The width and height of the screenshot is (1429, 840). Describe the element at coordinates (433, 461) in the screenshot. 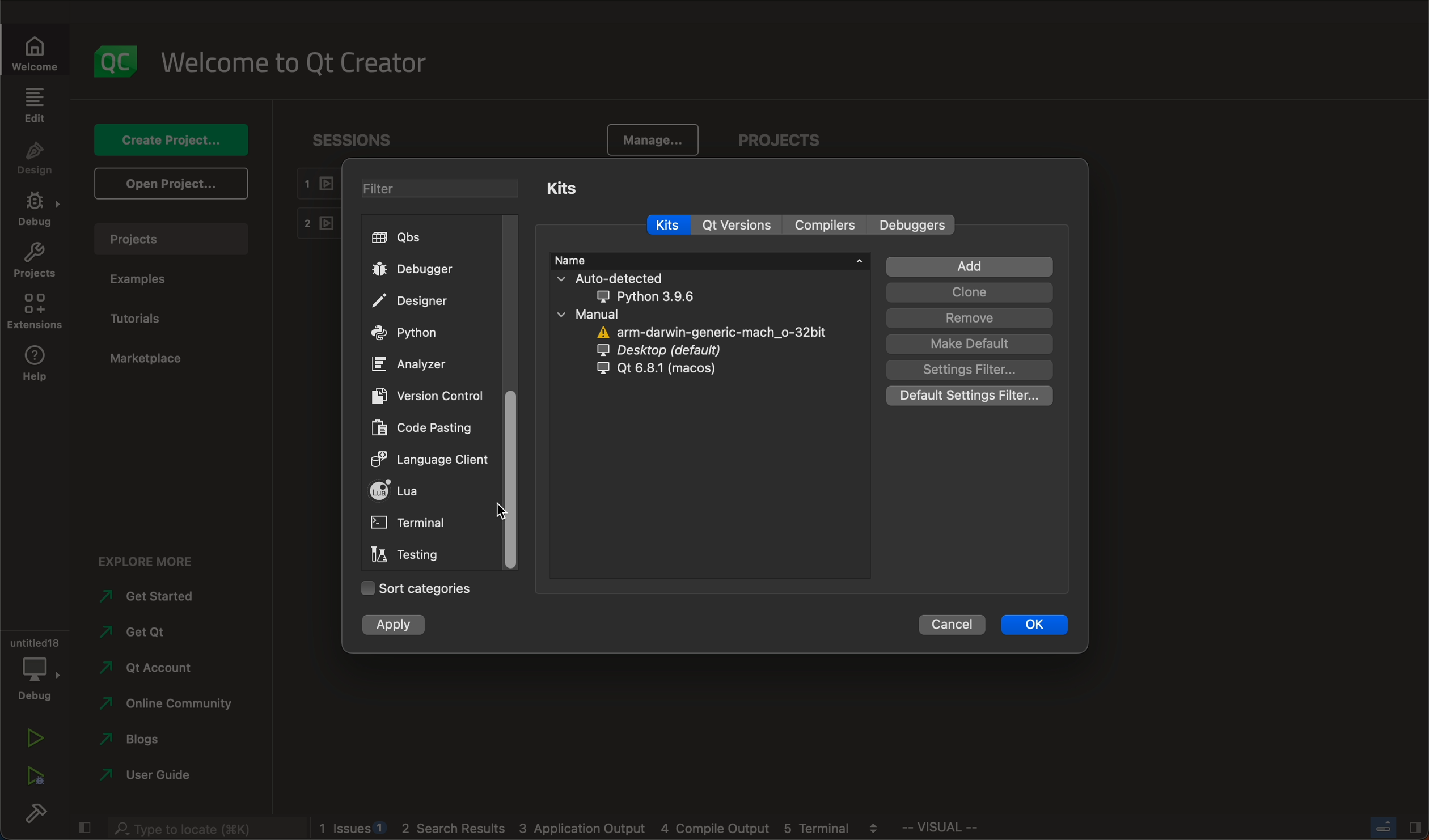

I see `language` at that location.